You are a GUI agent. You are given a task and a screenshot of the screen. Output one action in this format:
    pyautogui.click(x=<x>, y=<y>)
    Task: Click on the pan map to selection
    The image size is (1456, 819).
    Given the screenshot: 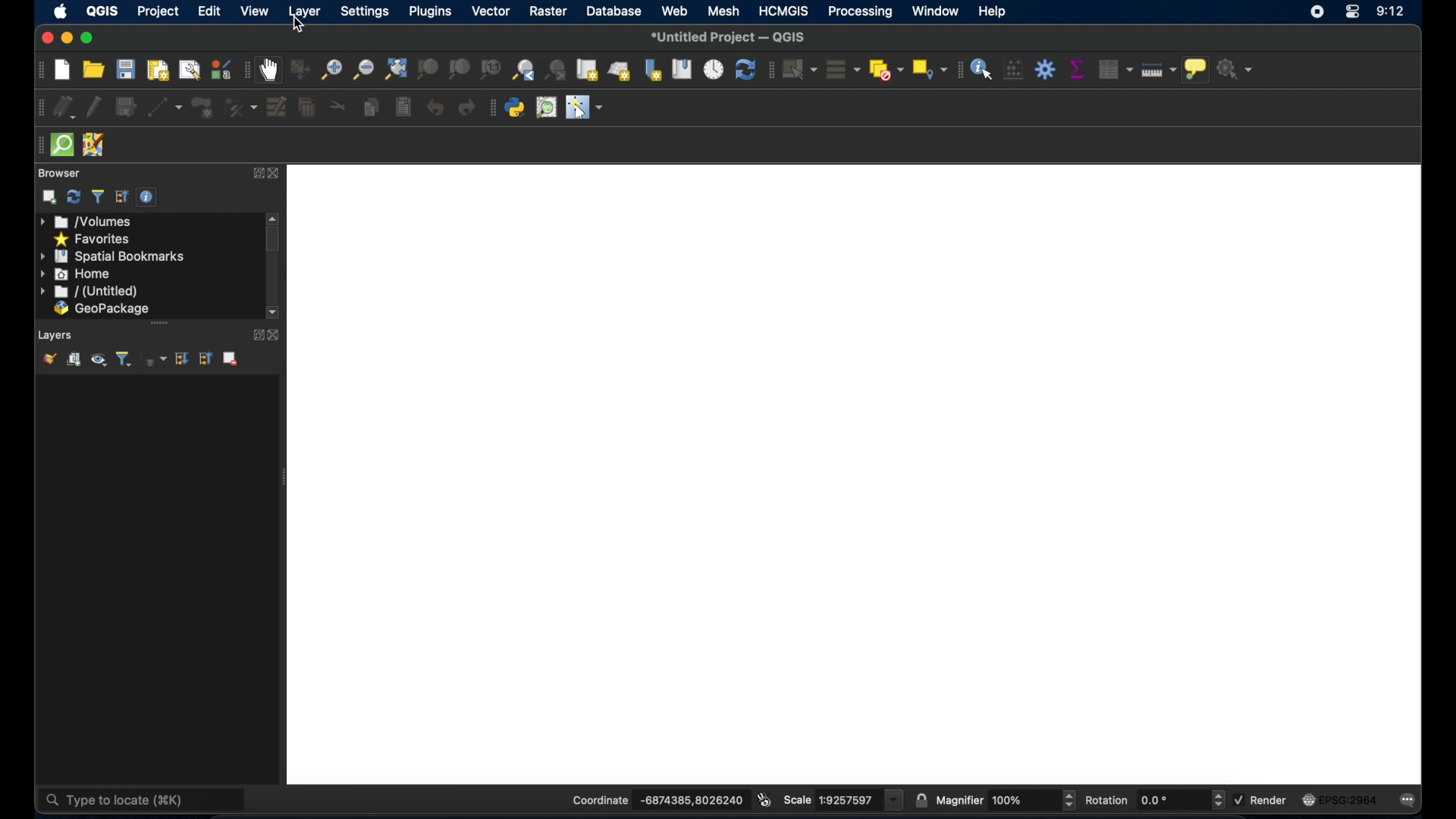 What is the action you would take?
    pyautogui.click(x=300, y=70)
    